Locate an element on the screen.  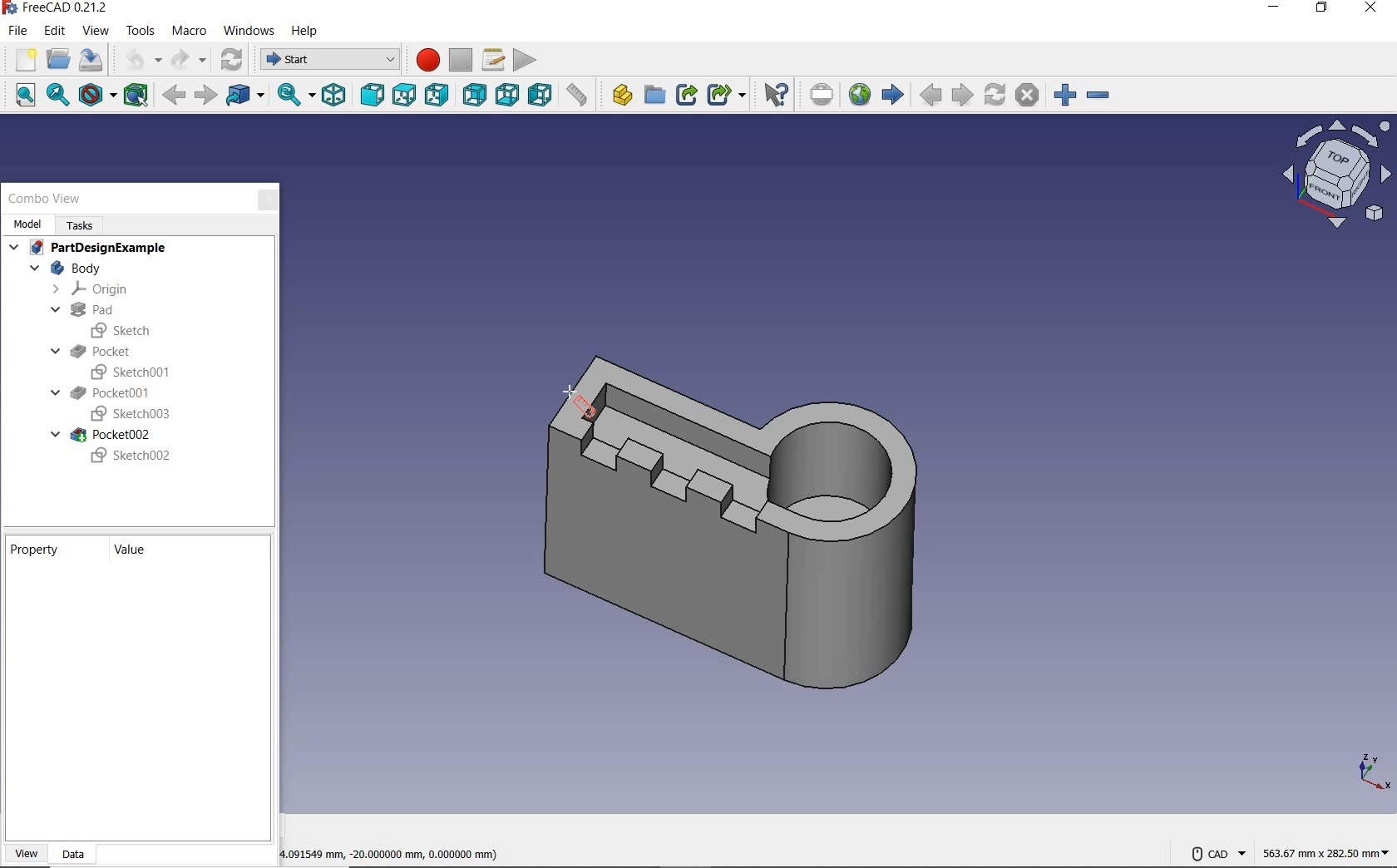
MODEL is located at coordinates (27, 224).